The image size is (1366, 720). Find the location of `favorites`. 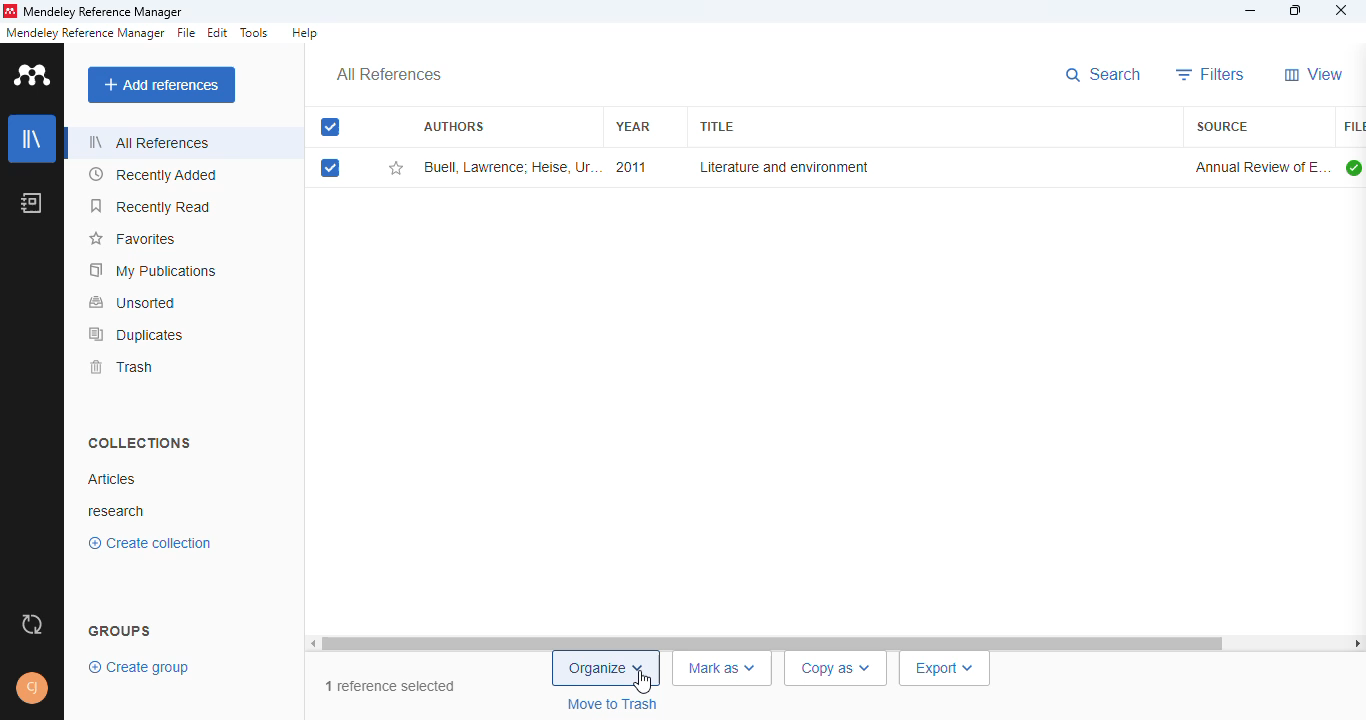

favorites is located at coordinates (135, 239).